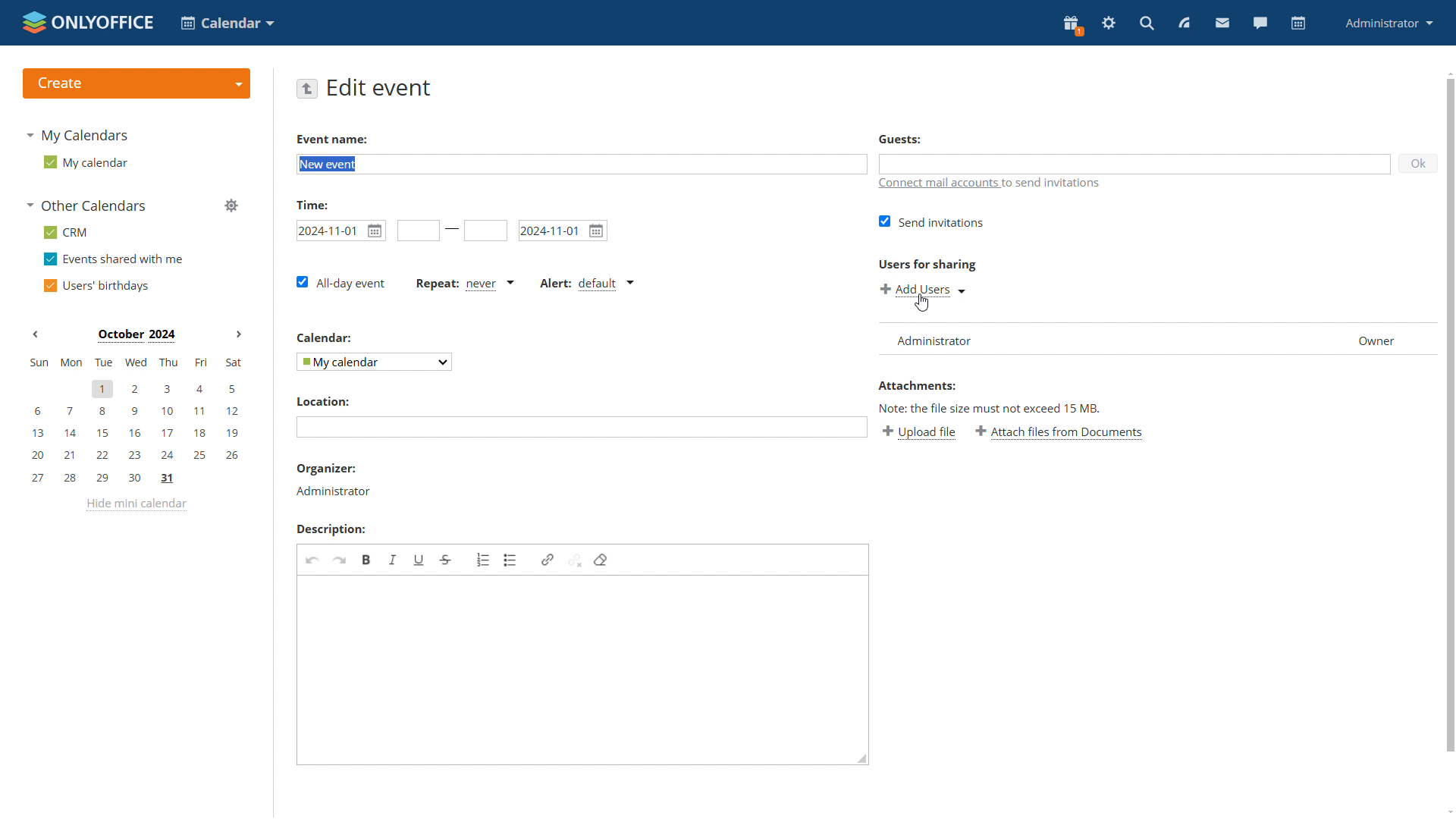 This screenshot has height=819, width=1456. I want to click on users' birthdays, so click(100, 285).